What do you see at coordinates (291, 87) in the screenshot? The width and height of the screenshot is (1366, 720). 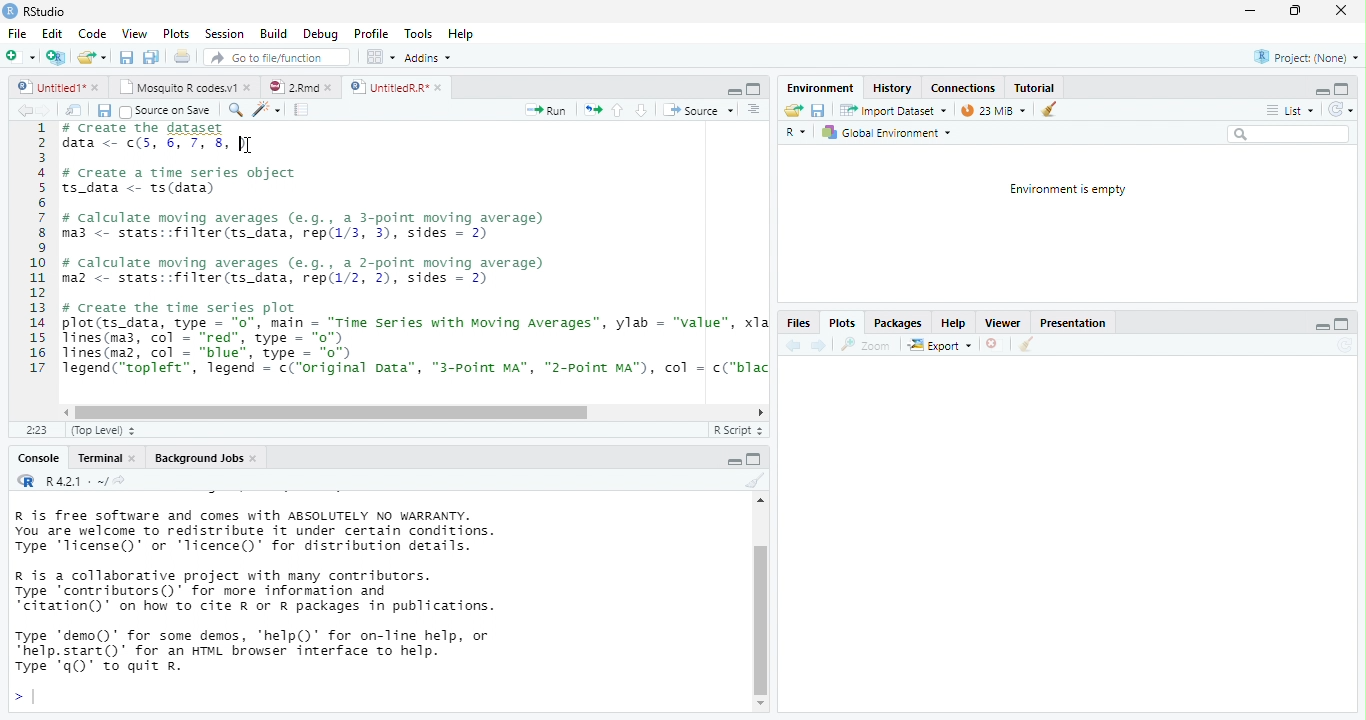 I see `2Rmd` at bounding box center [291, 87].